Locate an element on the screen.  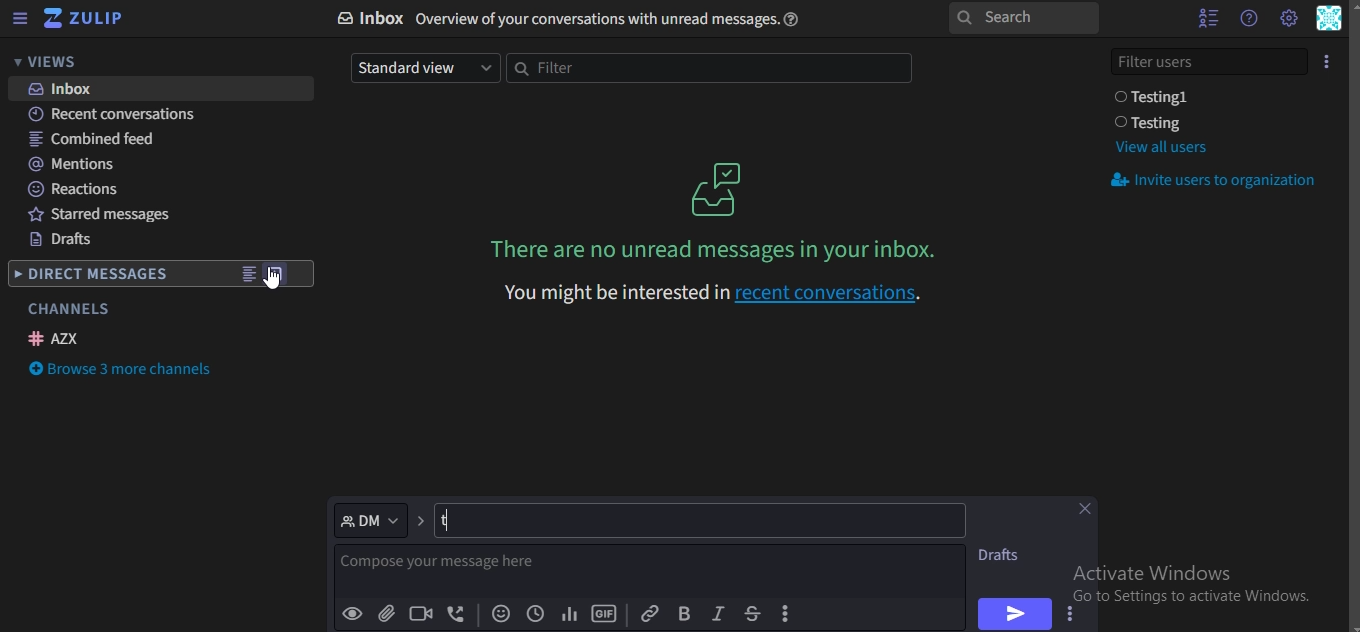
direct conversation is located at coordinates (278, 274).